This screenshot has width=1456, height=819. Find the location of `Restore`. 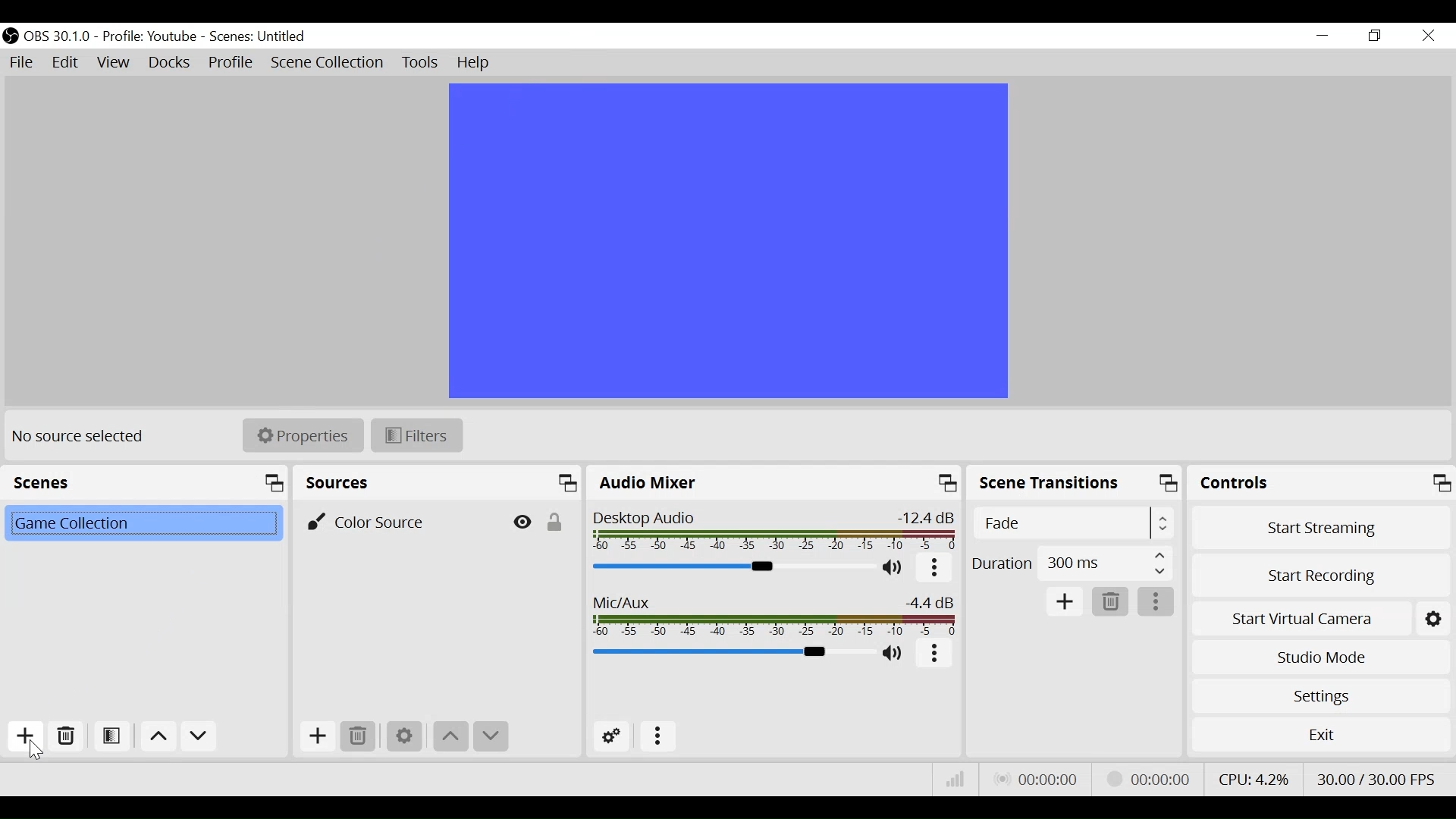

Restore is located at coordinates (1373, 36).